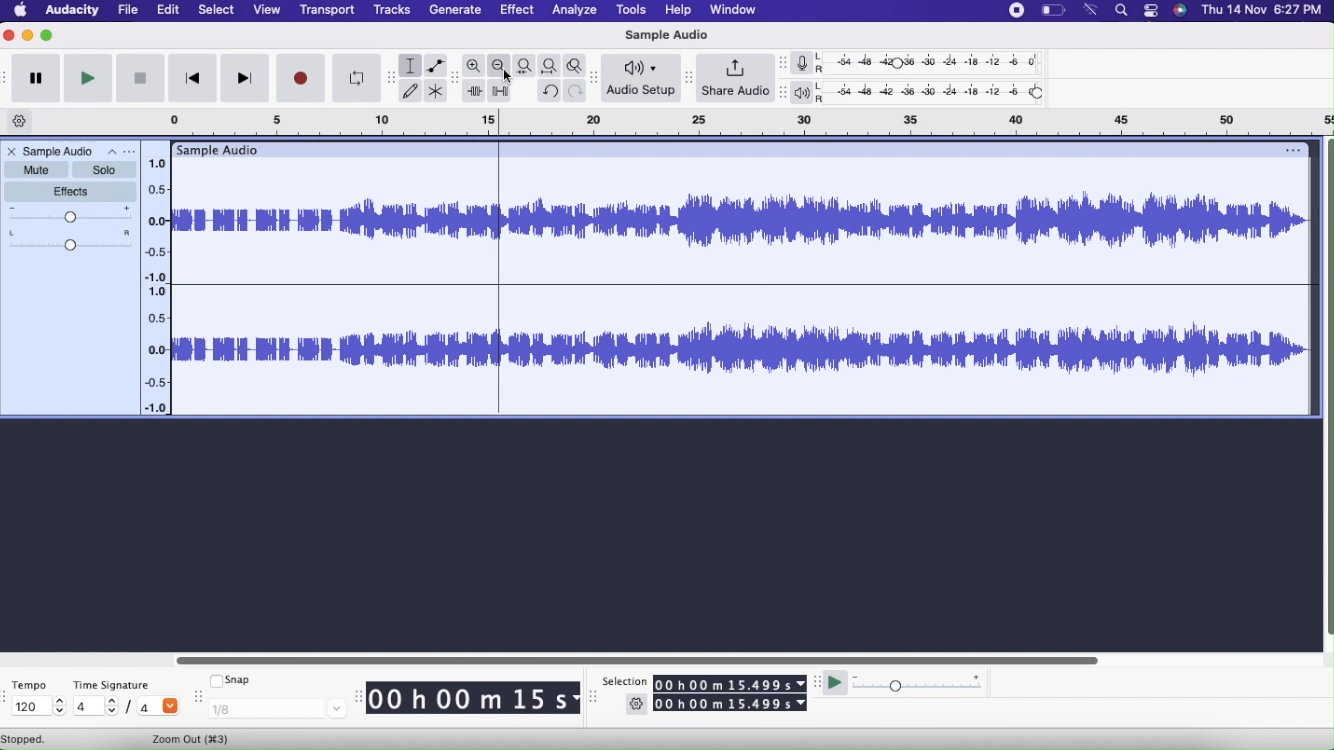 The image size is (1334, 750). I want to click on battery, so click(1054, 13).